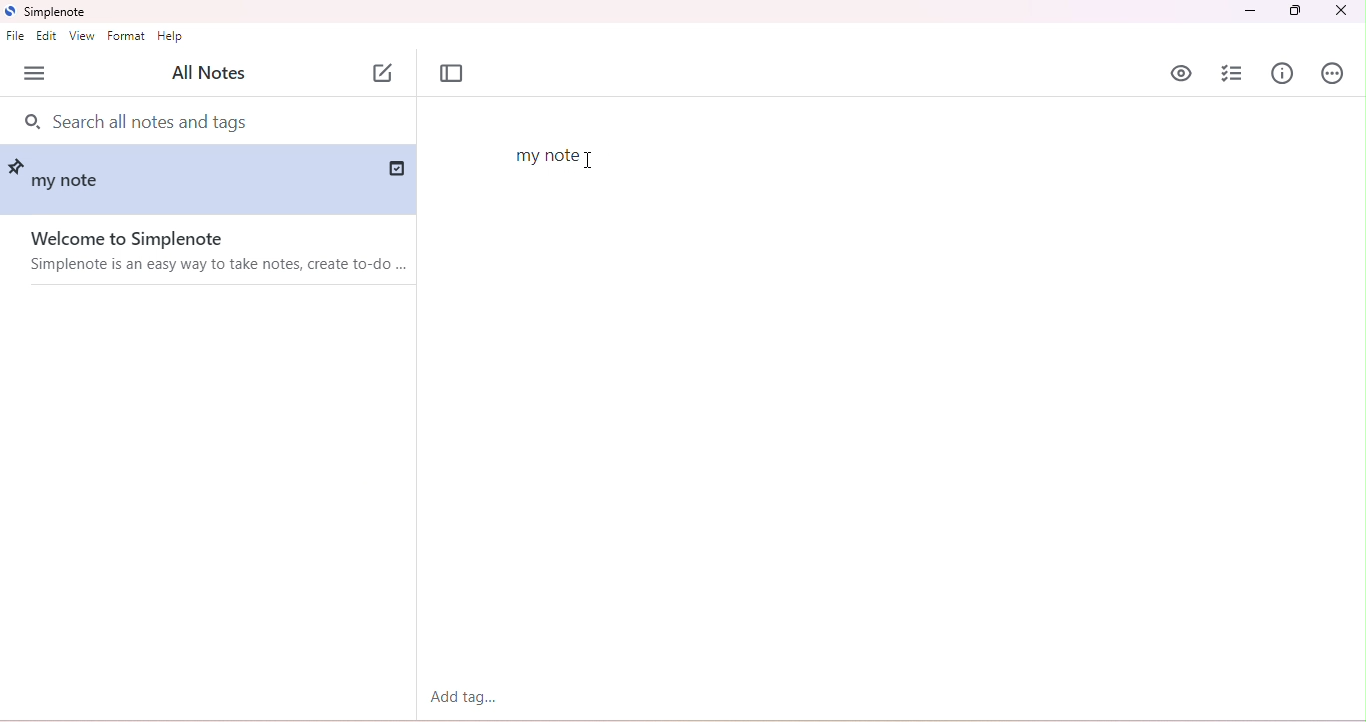 This screenshot has height=722, width=1366. What do you see at coordinates (463, 697) in the screenshot?
I see `add tag` at bounding box center [463, 697].